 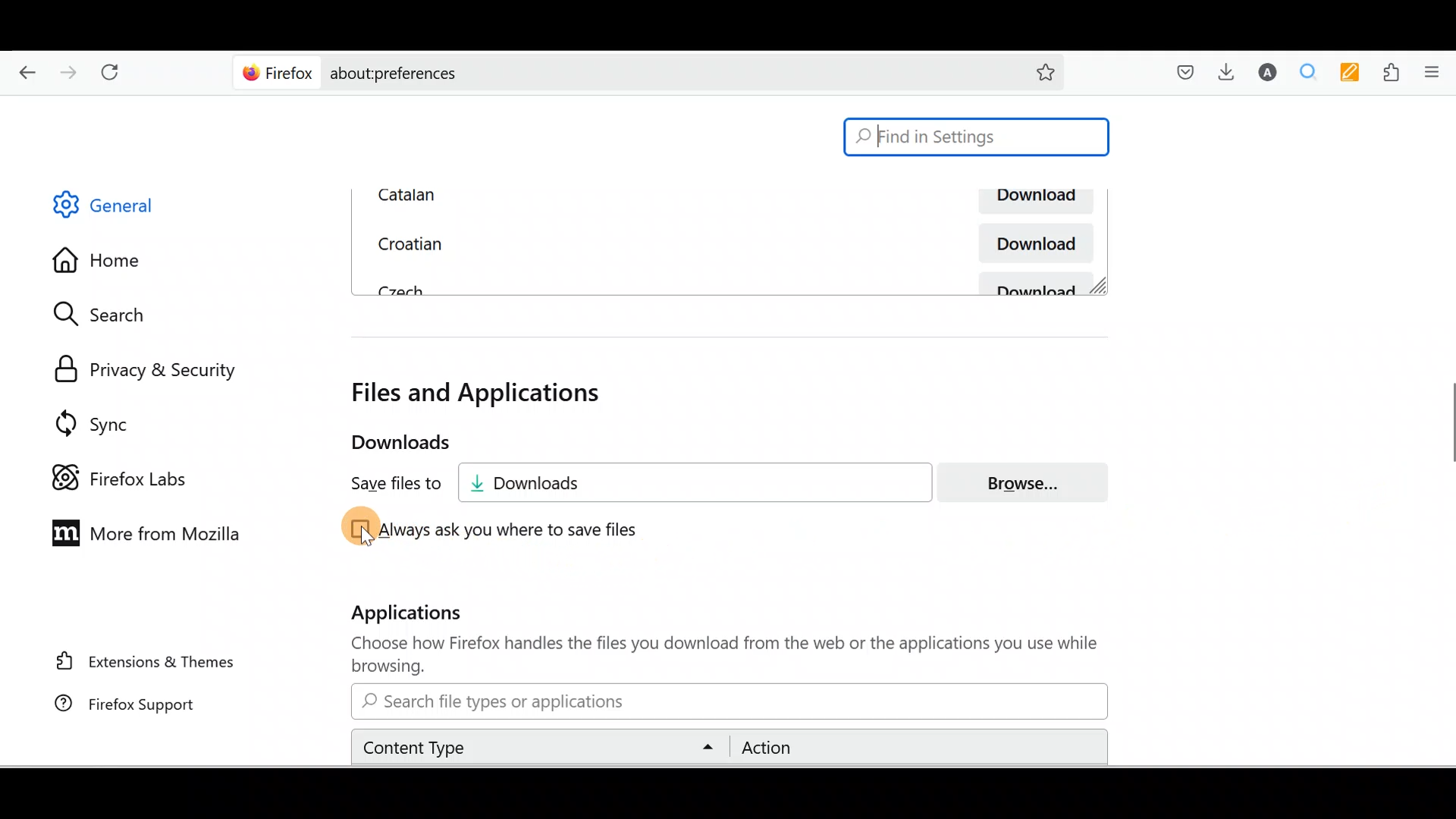 What do you see at coordinates (1039, 284) in the screenshot?
I see `Download` at bounding box center [1039, 284].